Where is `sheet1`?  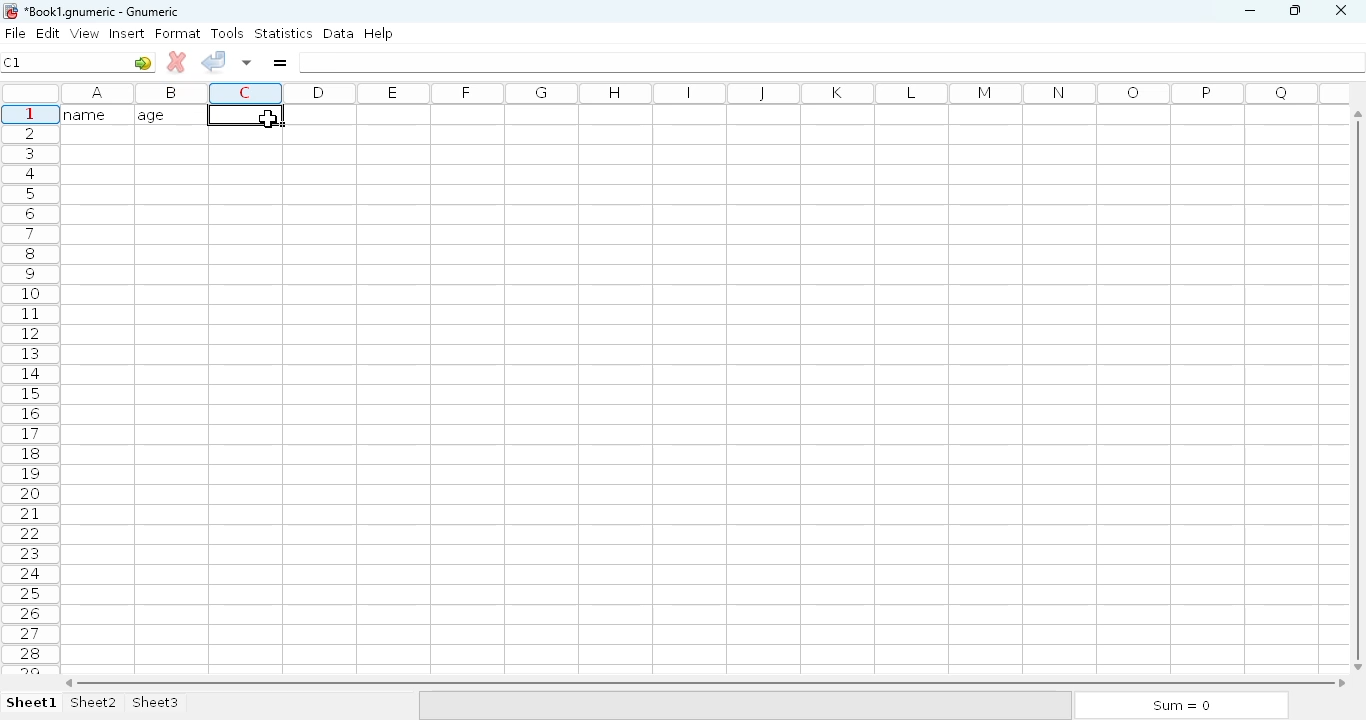
sheet1 is located at coordinates (32, 703).